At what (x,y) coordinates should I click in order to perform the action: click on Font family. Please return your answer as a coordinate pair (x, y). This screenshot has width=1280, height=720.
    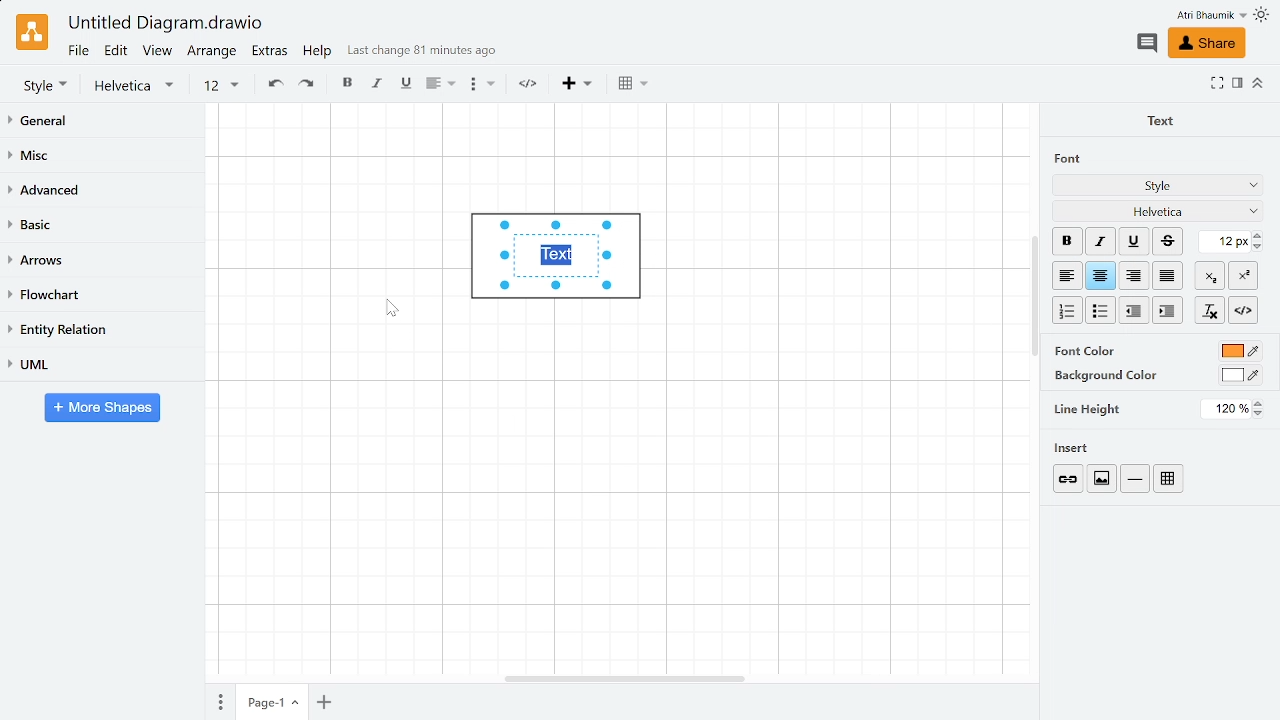
    Looking at the image, I should click on (1159, 210).